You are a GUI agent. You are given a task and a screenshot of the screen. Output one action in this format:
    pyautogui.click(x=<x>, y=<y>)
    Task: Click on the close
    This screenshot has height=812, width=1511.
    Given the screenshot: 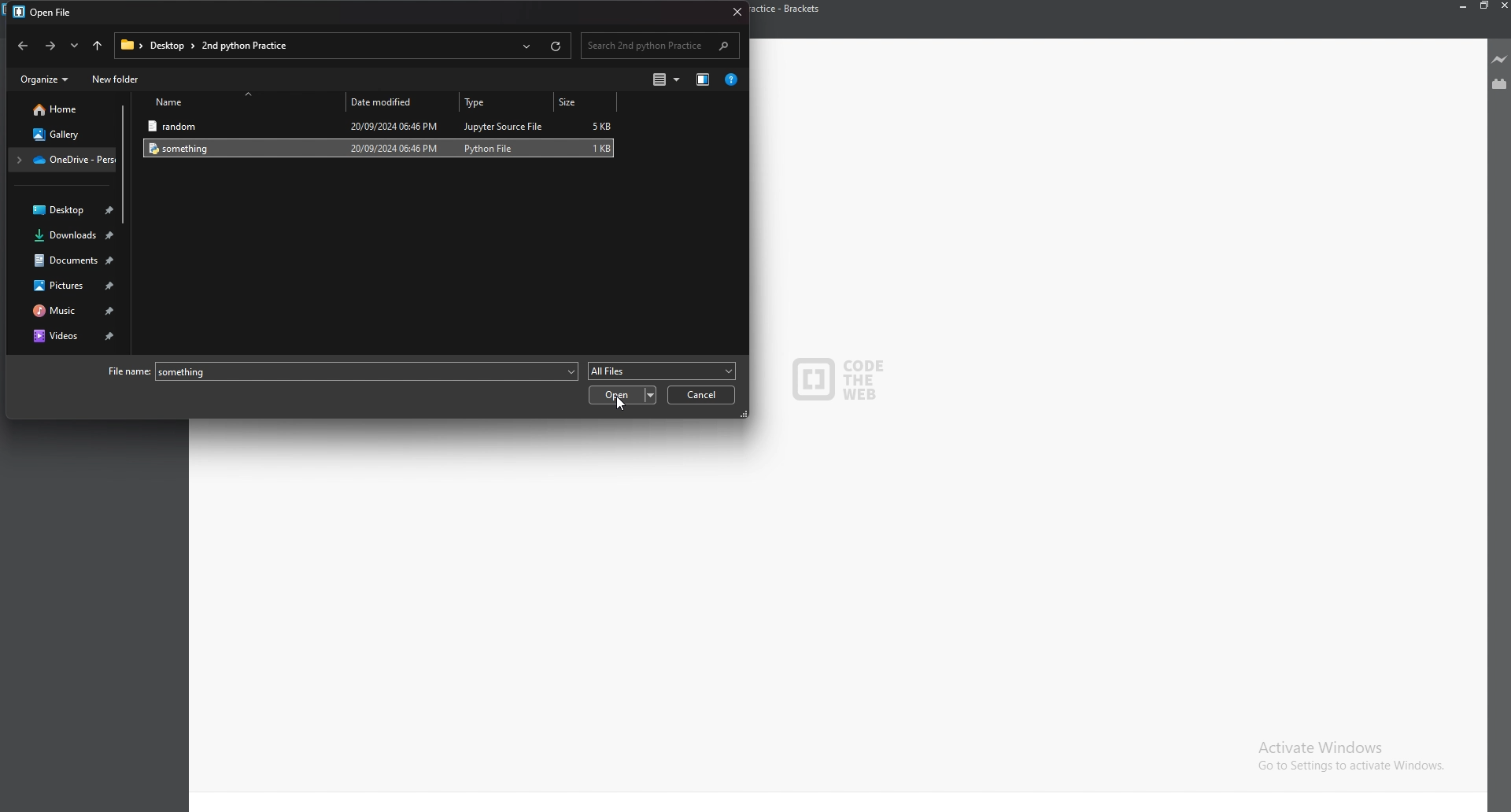 What is the action you would take?
    pyautogui.click(x=734, y=11)
    